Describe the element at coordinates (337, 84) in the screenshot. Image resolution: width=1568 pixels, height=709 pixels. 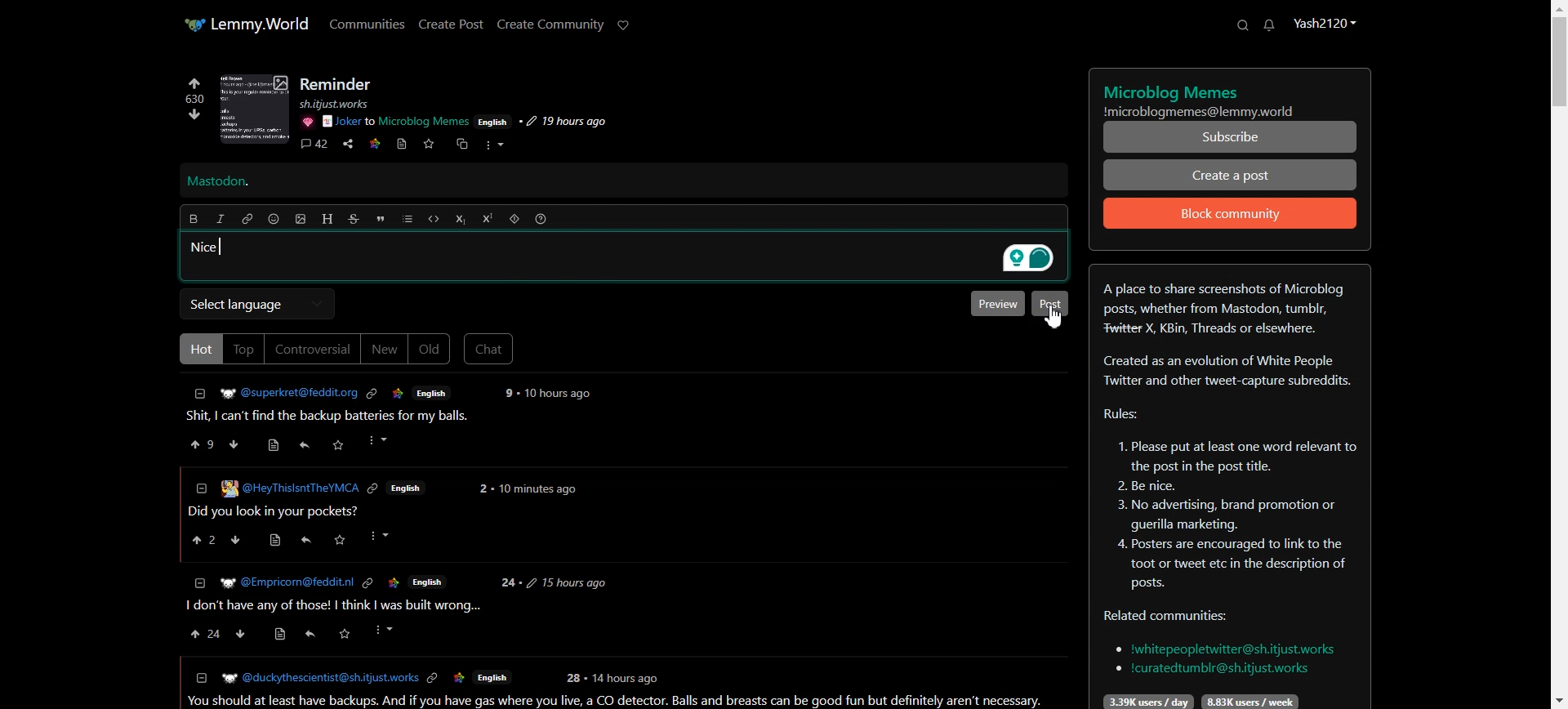
I see `Text` at that location.